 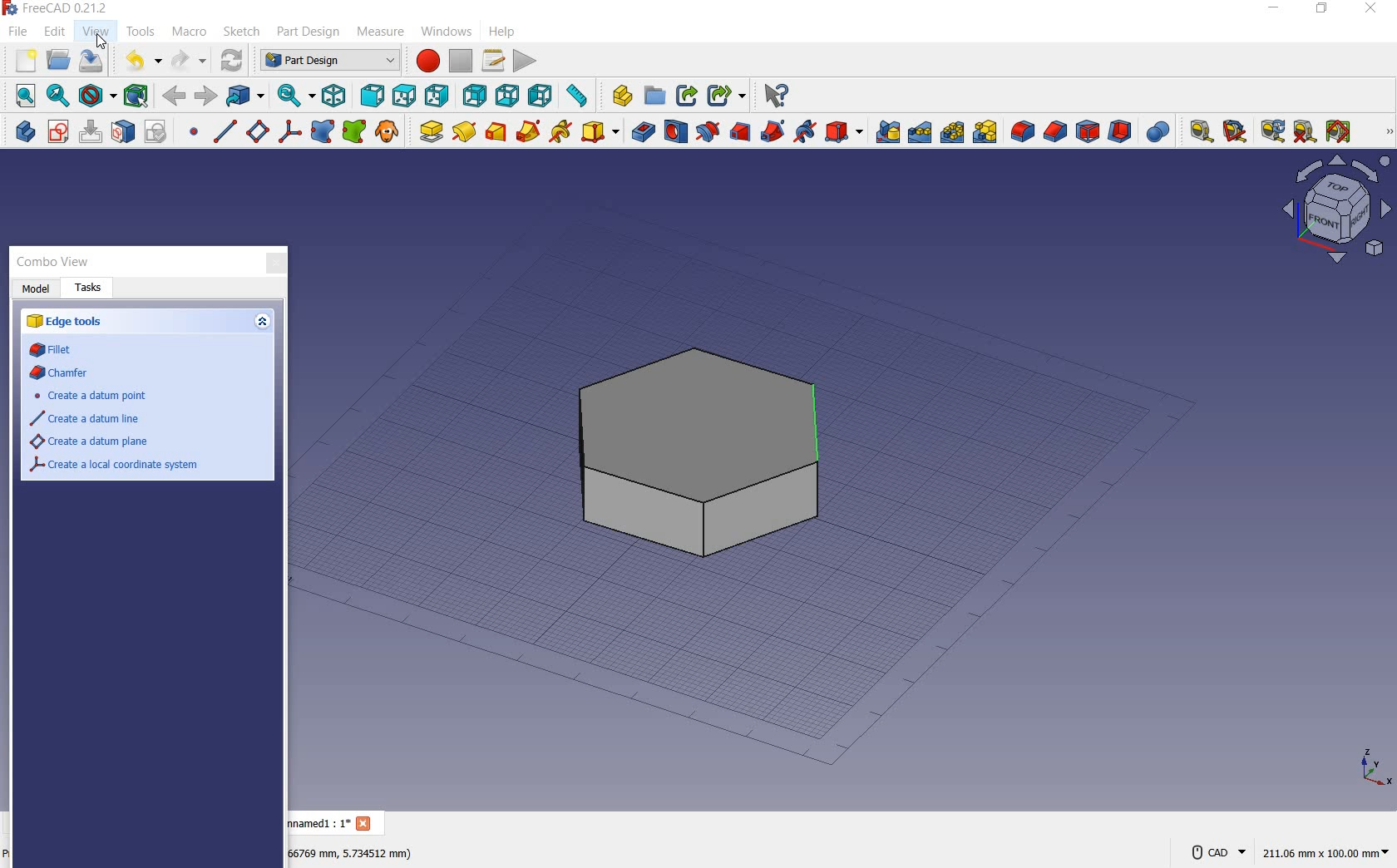 What do you see at coordinates (354, 132) in the screenshot?
I see `create s sub-object shape binder` at bounding box center [354, 132].